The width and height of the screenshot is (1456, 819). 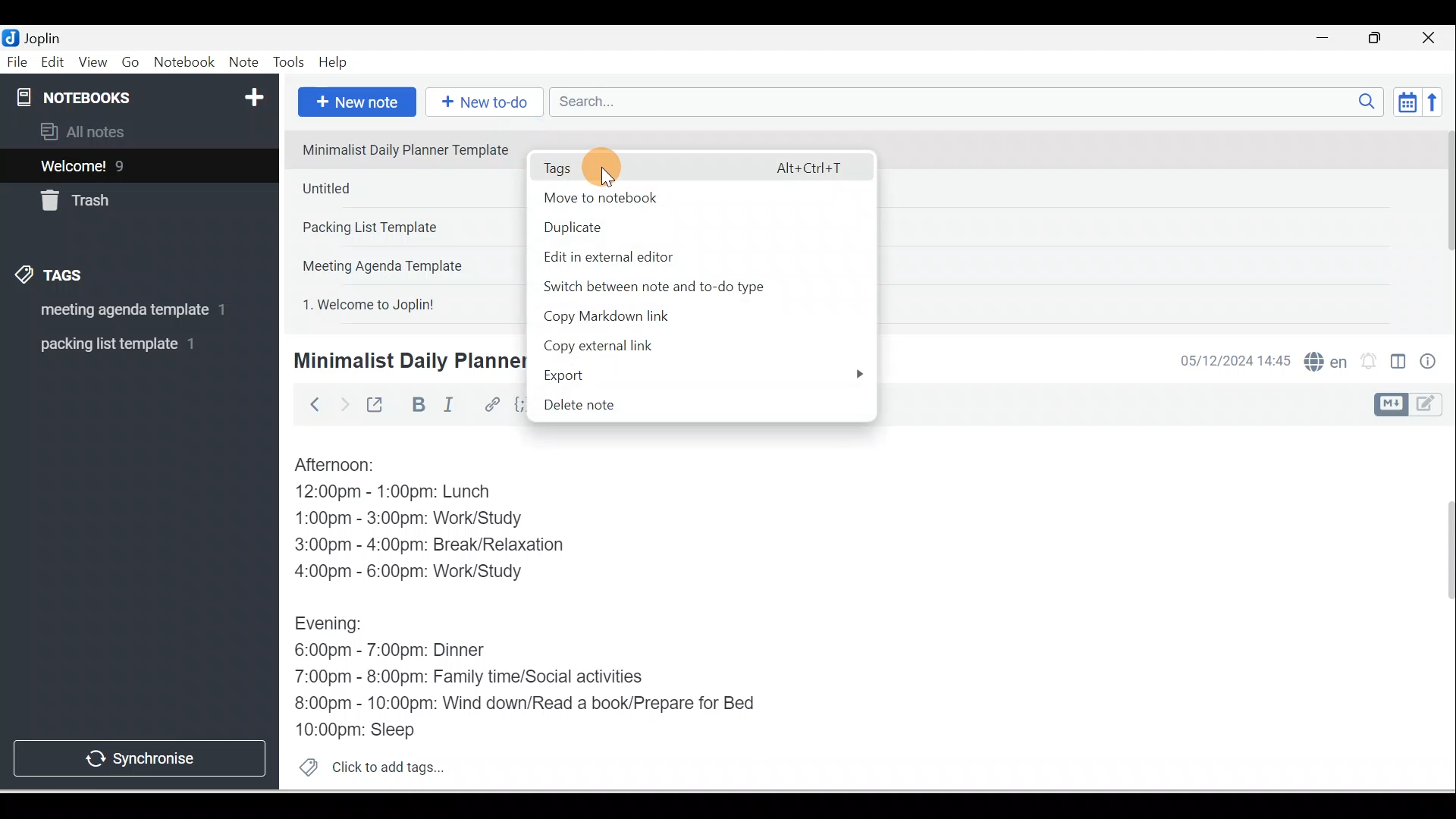 What do you see at coordinates (119, 311) in the screenshot?
I see `Tag 1` at bounding box center [119, 311].